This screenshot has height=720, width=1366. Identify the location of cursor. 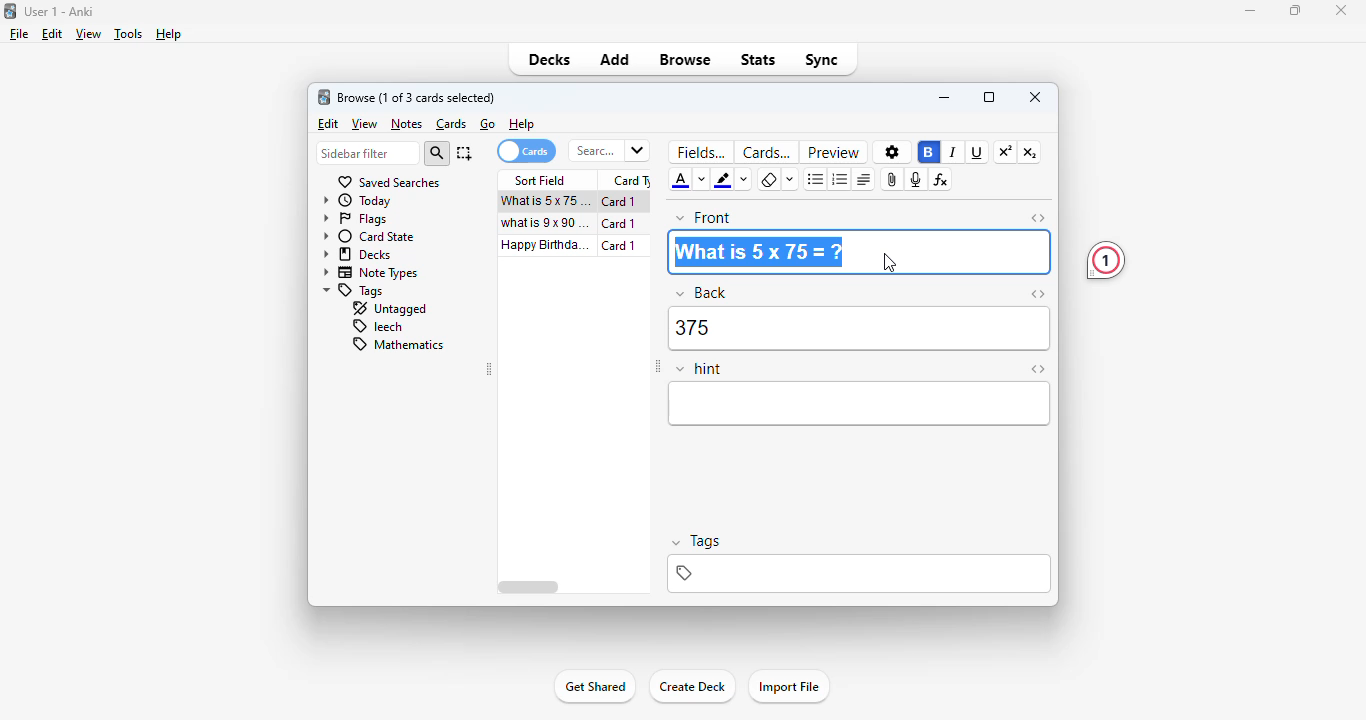
(890, 263).